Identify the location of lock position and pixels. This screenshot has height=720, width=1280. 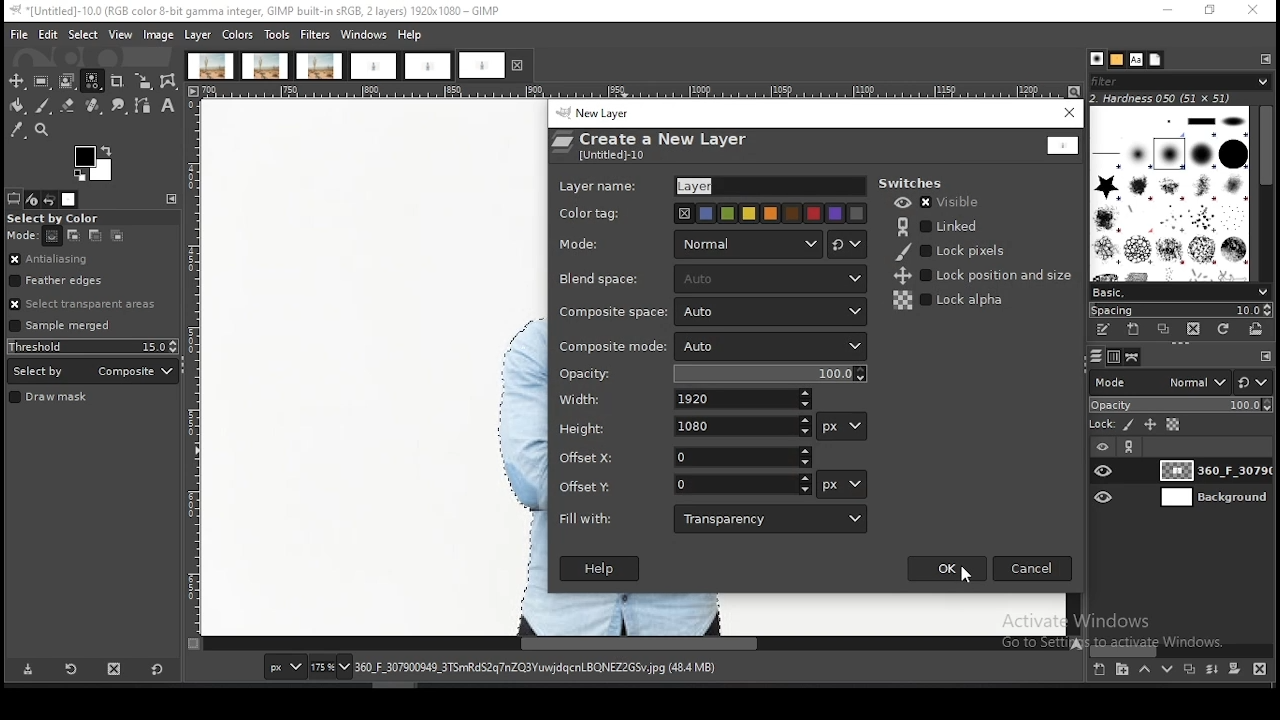
(981, 276).